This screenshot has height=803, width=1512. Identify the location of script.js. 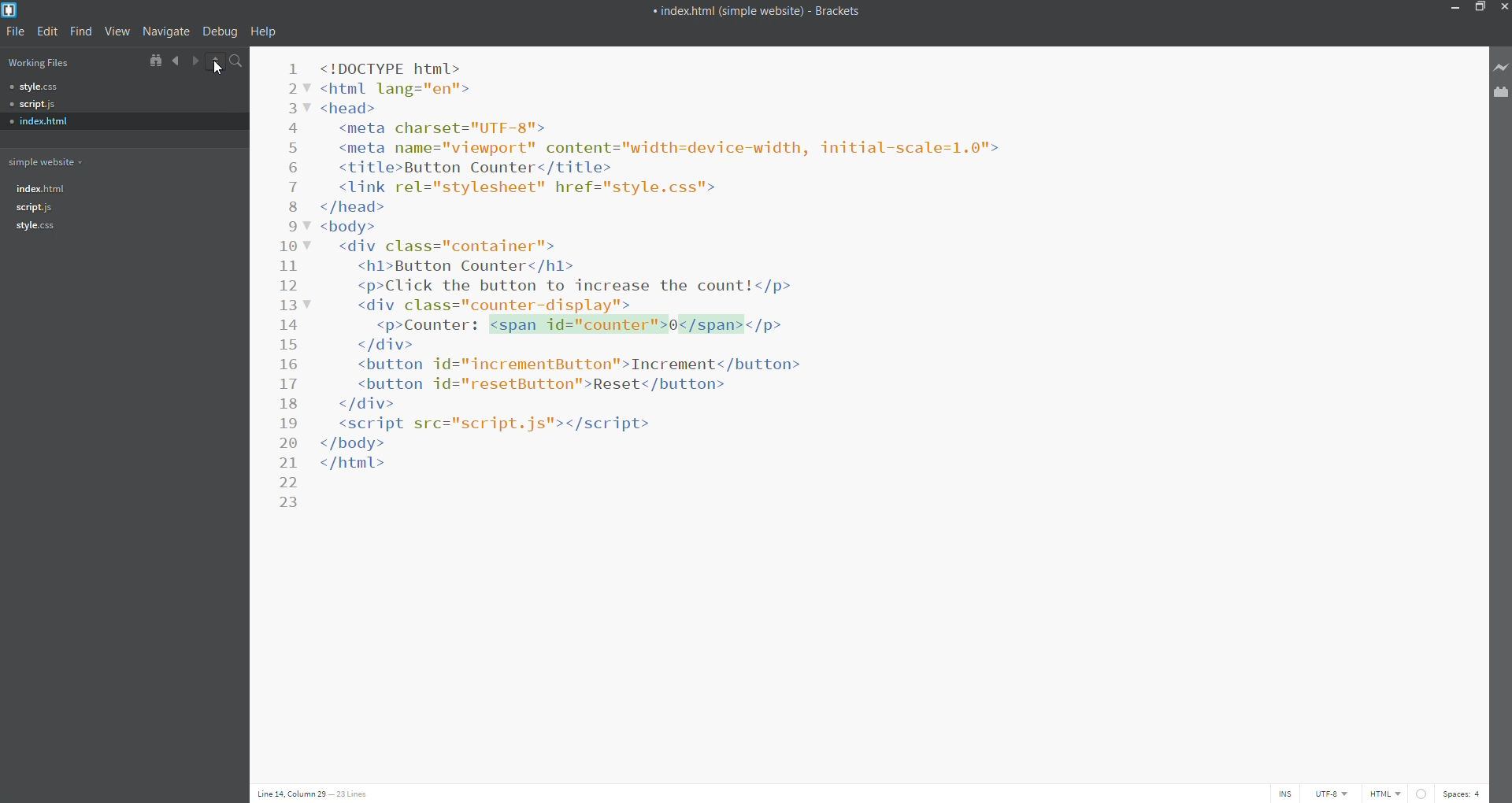
(123, 209).